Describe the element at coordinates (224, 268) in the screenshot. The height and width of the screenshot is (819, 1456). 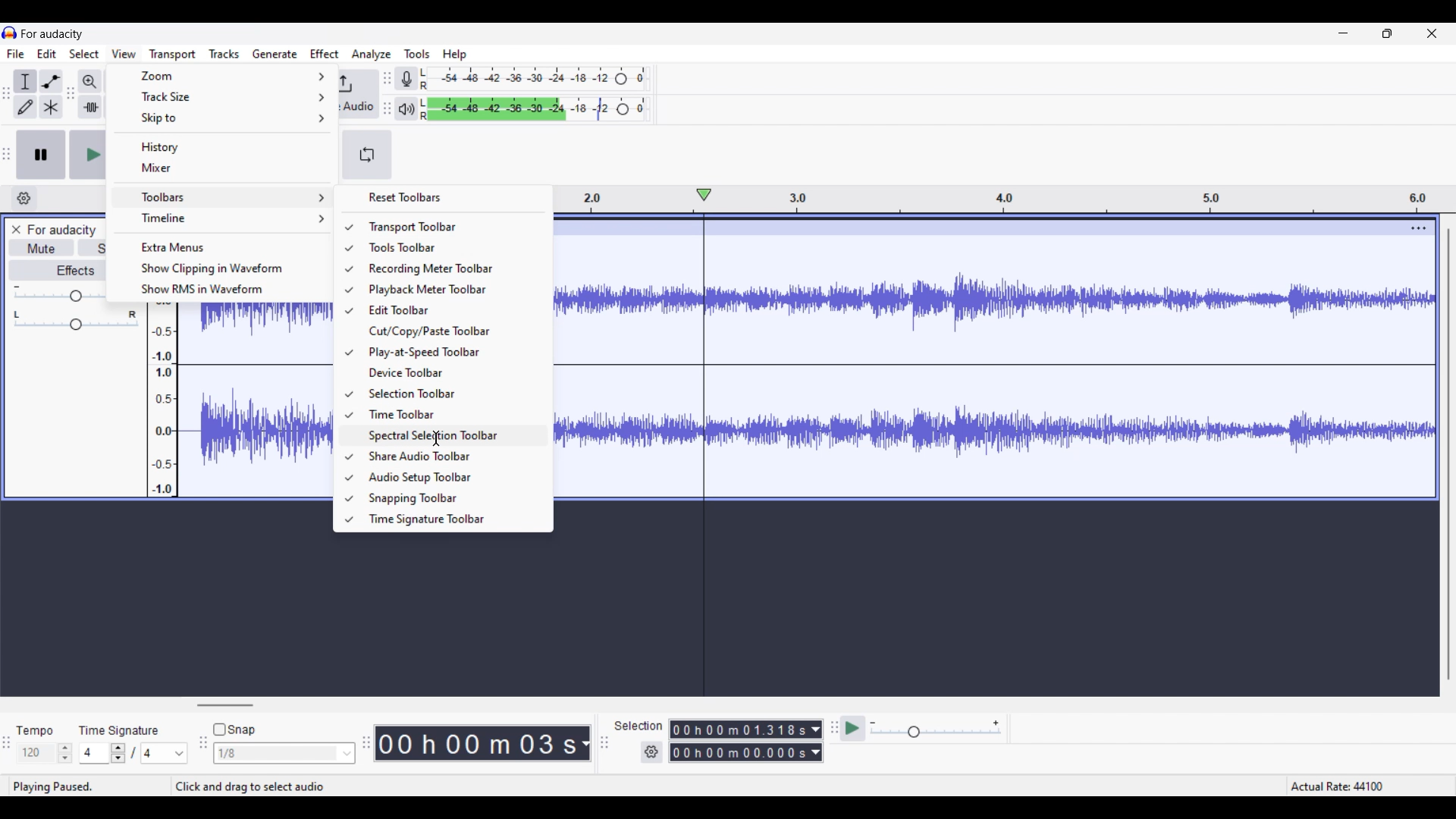
I see `Show clipping in waveform` at that location.